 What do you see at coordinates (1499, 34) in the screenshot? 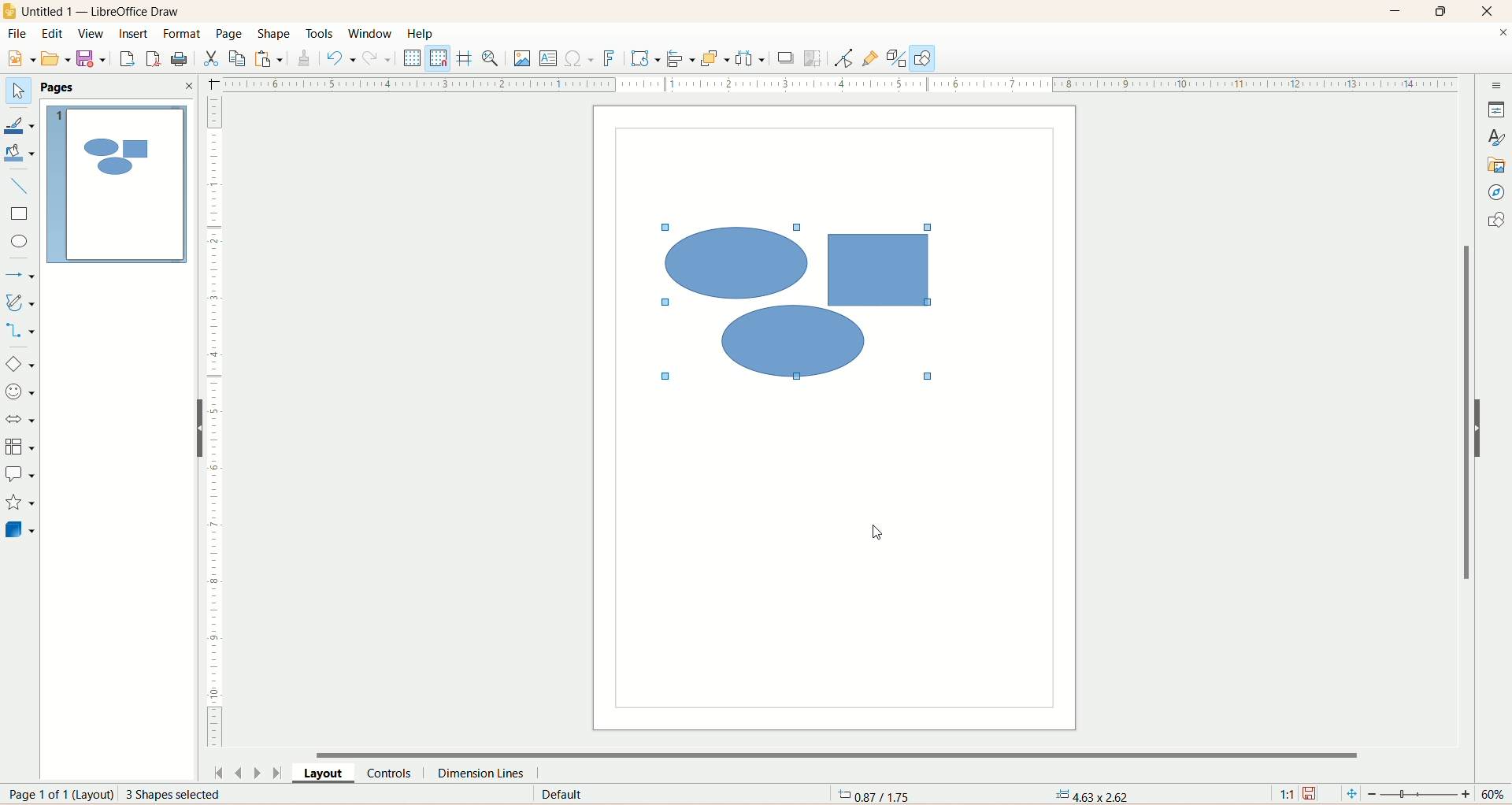
I see `close` at bounding box center [1499, 34].